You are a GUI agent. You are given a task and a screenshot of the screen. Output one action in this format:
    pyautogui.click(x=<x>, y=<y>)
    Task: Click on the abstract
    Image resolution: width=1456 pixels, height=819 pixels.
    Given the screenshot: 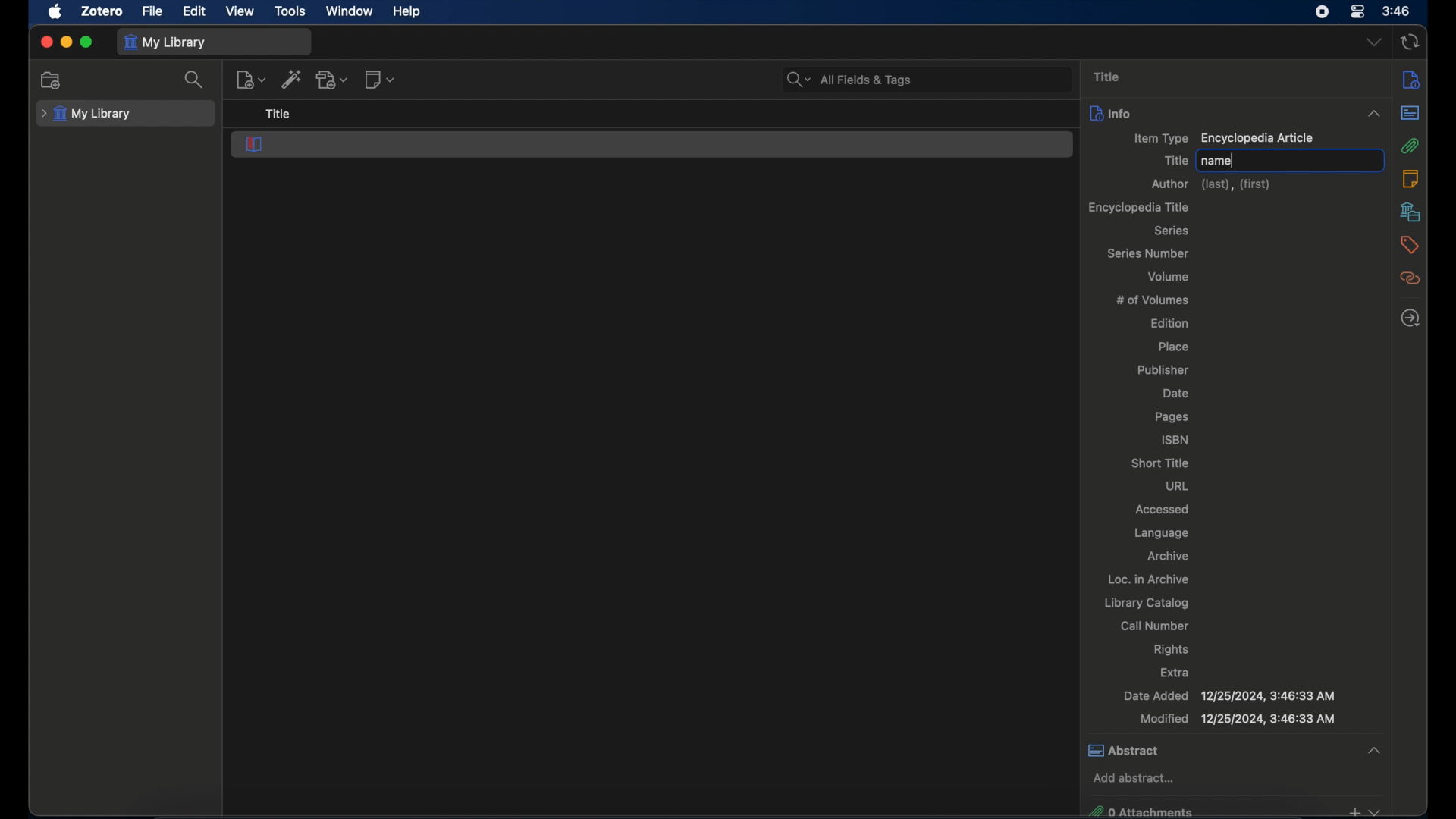 What is the action you would take?
    pyautogui.click(x=1234, y=749)
    